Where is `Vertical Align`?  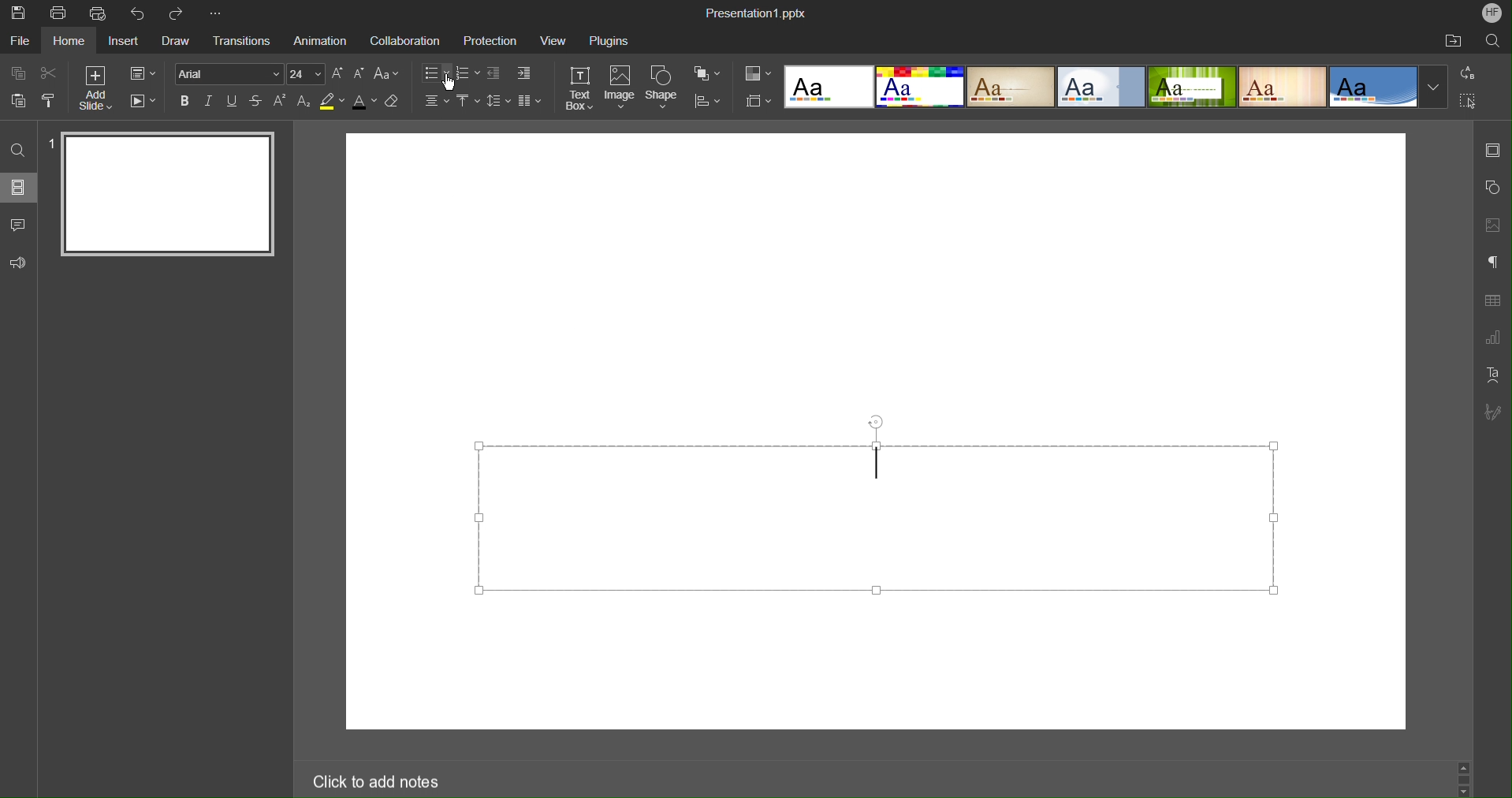 Vertical Align is located at coordinates (467, 101).